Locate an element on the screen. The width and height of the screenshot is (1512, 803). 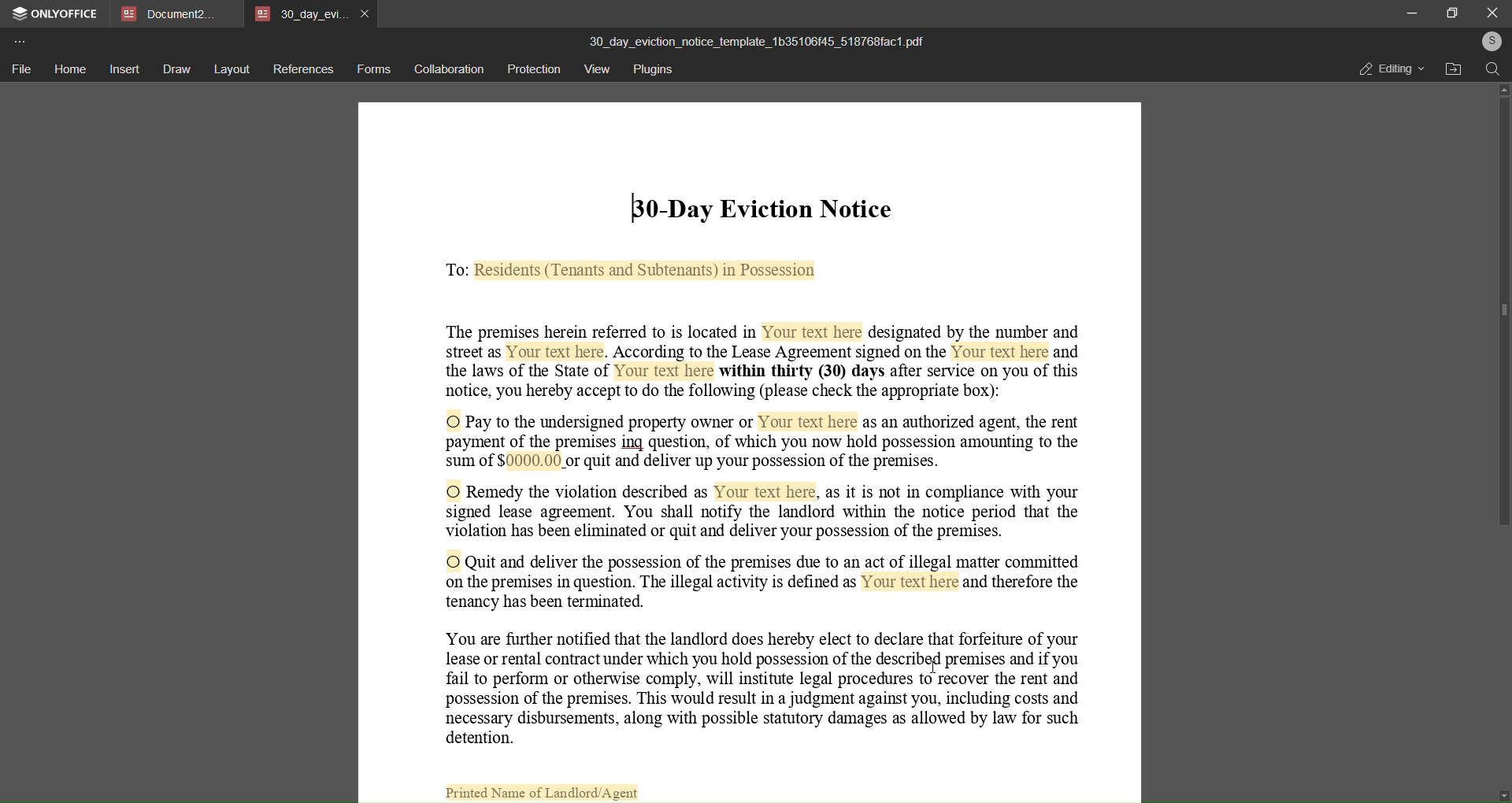
plugins is located at coordinates (655, 68).